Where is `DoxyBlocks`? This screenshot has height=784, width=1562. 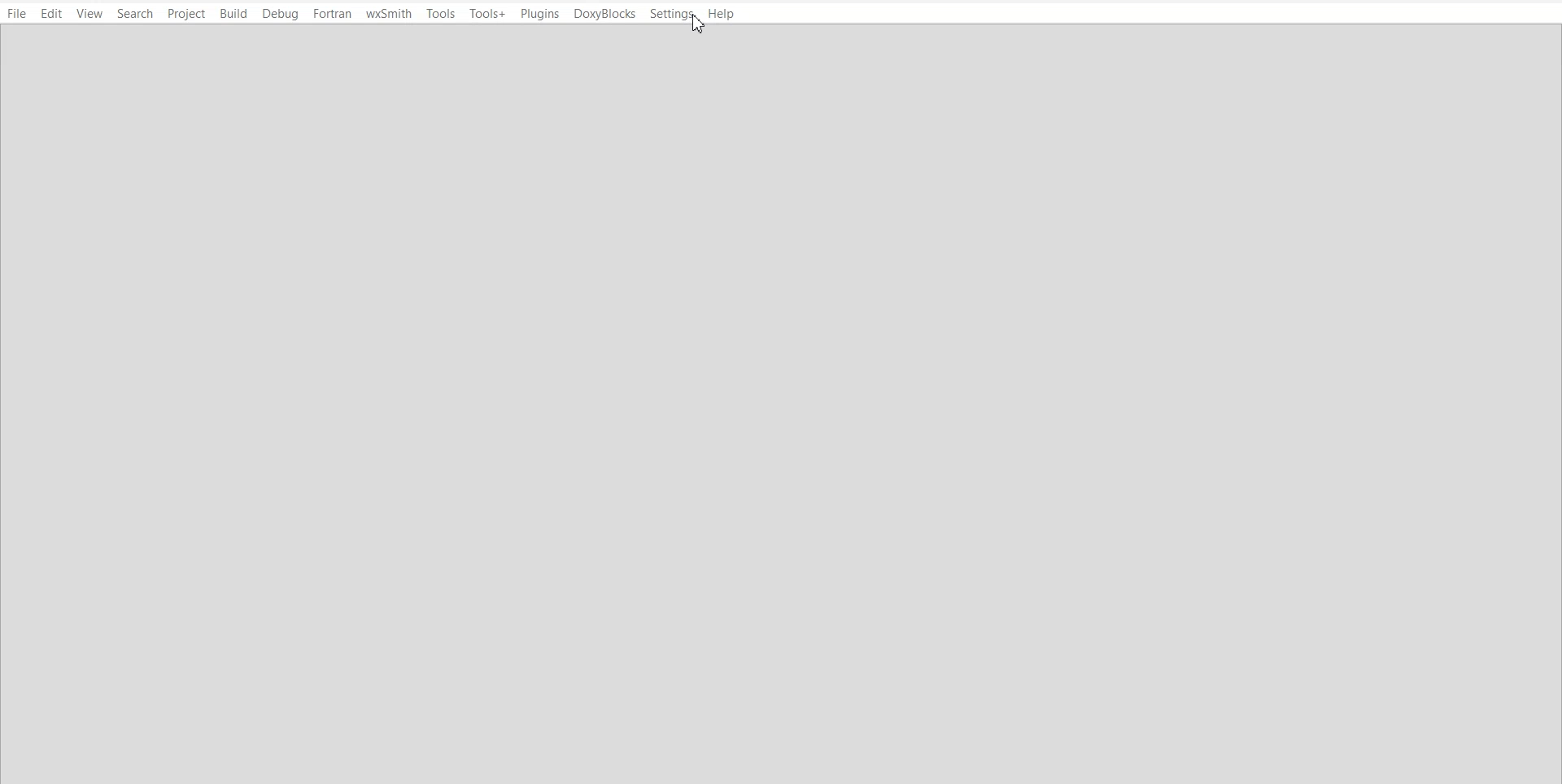 DoxyBlocks is located at coordinates (605, 14).